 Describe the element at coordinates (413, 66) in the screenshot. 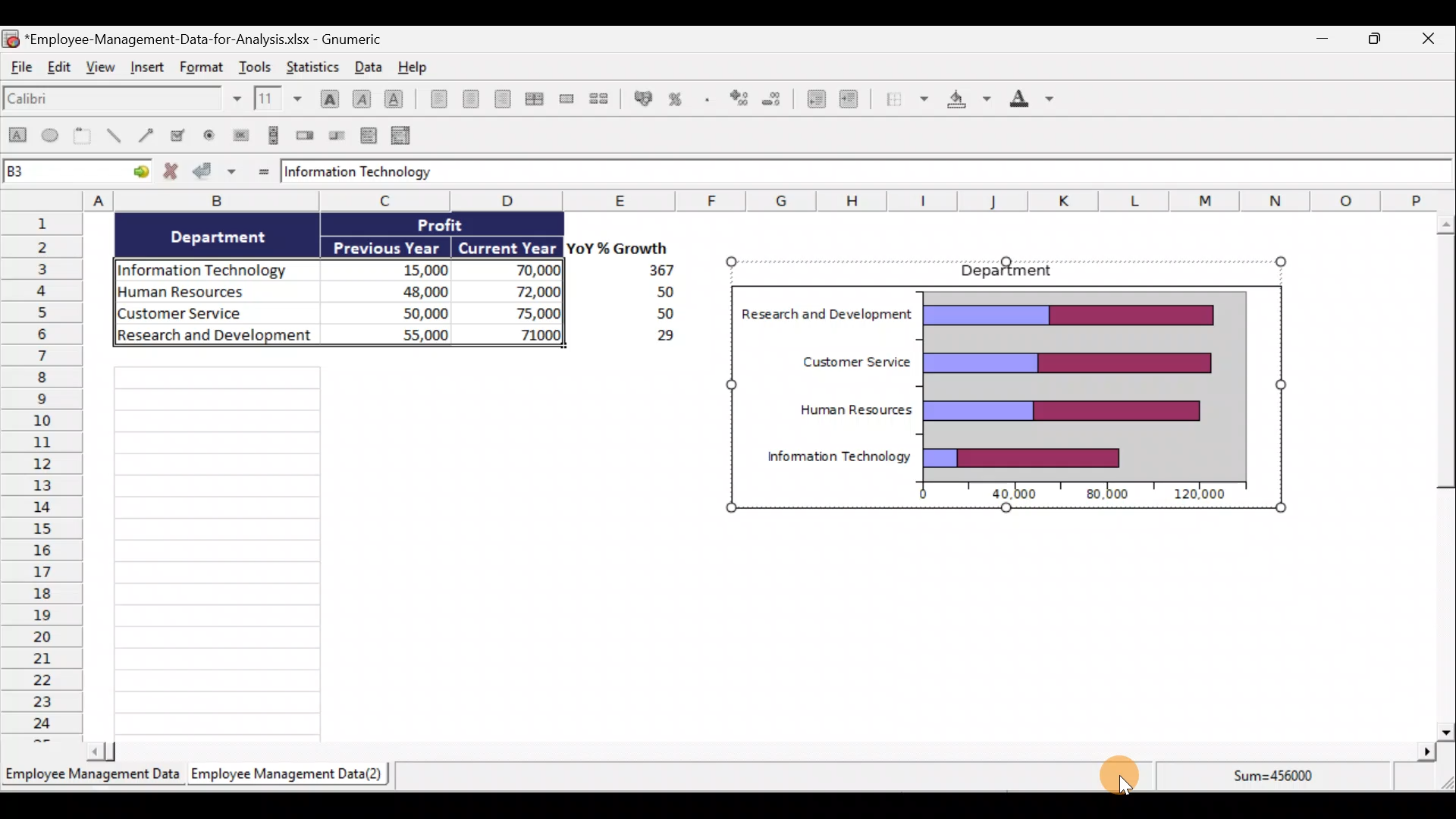

I see `Help` at that location.